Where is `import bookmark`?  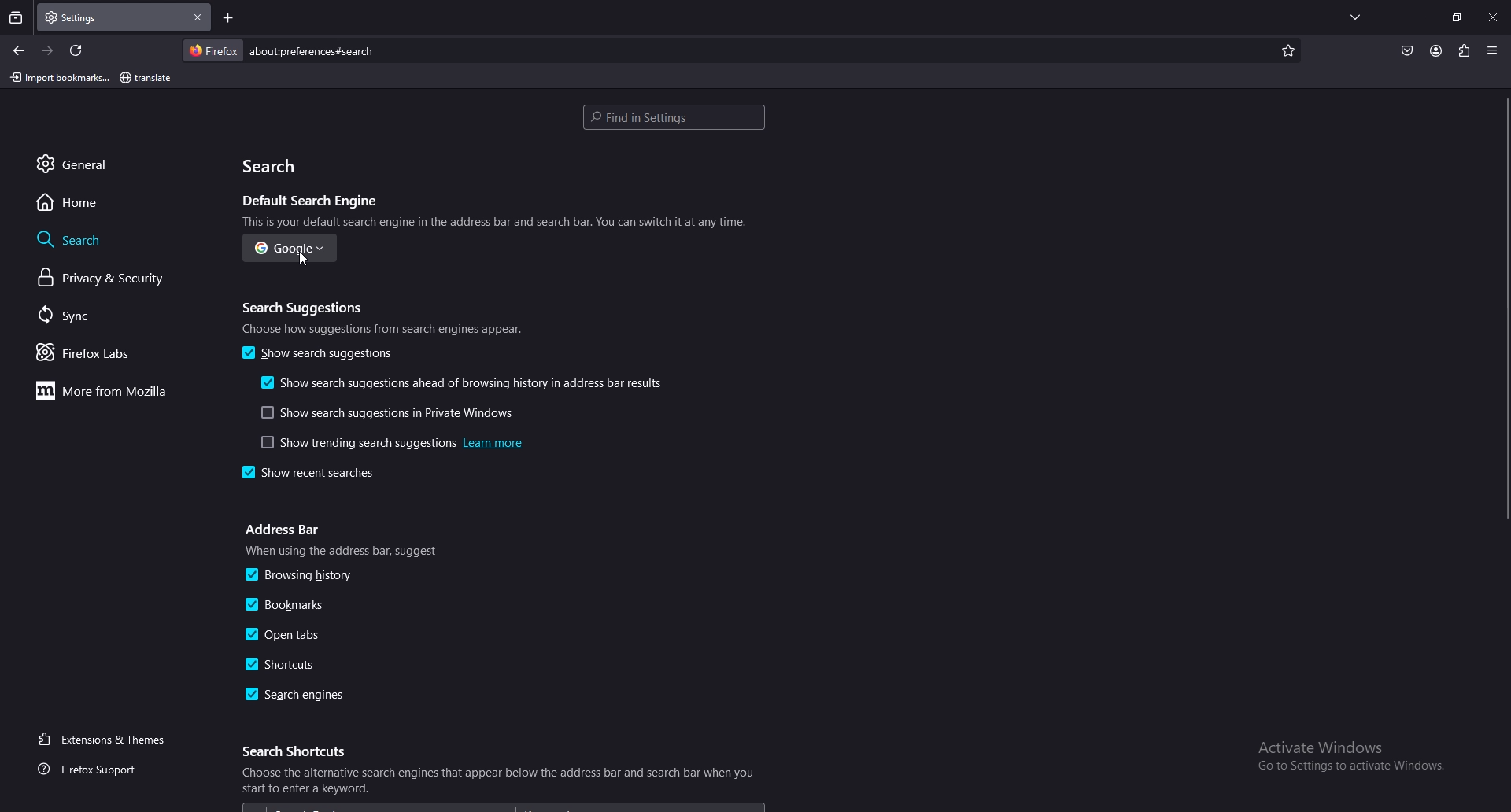 import bookmark is located at coordinates (58, 77).